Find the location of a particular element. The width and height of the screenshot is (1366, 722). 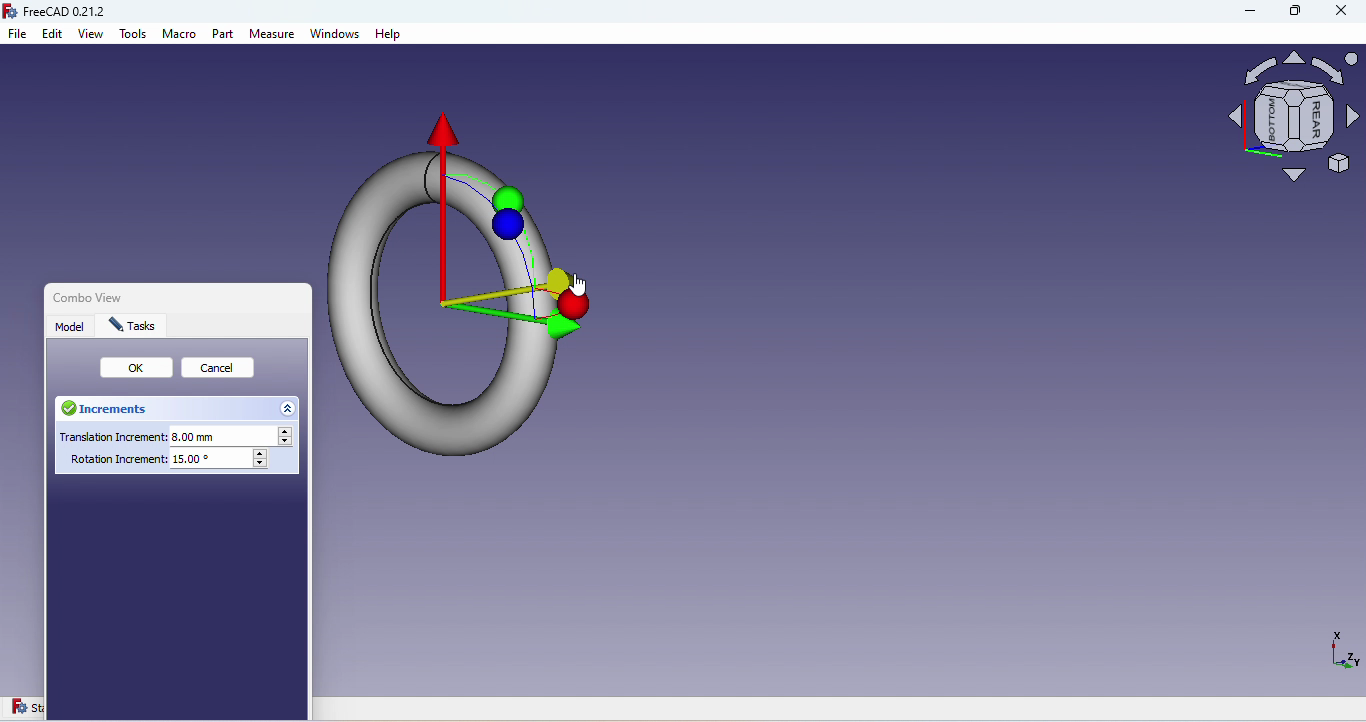

Move to X-axis is located at coordinates (443, 134).